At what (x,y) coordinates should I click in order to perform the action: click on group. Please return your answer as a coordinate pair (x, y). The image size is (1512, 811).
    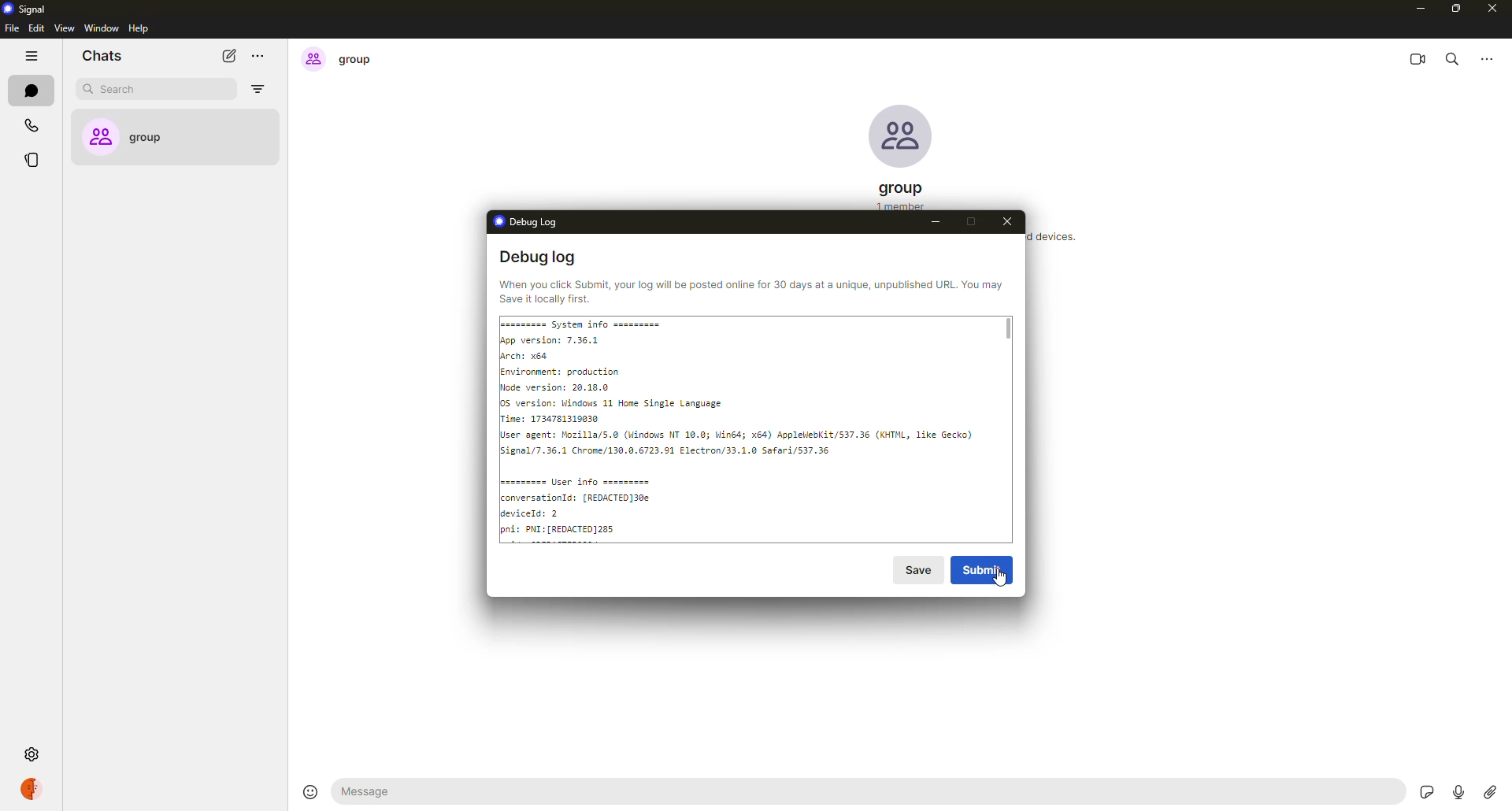
    Looking at the image, I should click on (339, 60).